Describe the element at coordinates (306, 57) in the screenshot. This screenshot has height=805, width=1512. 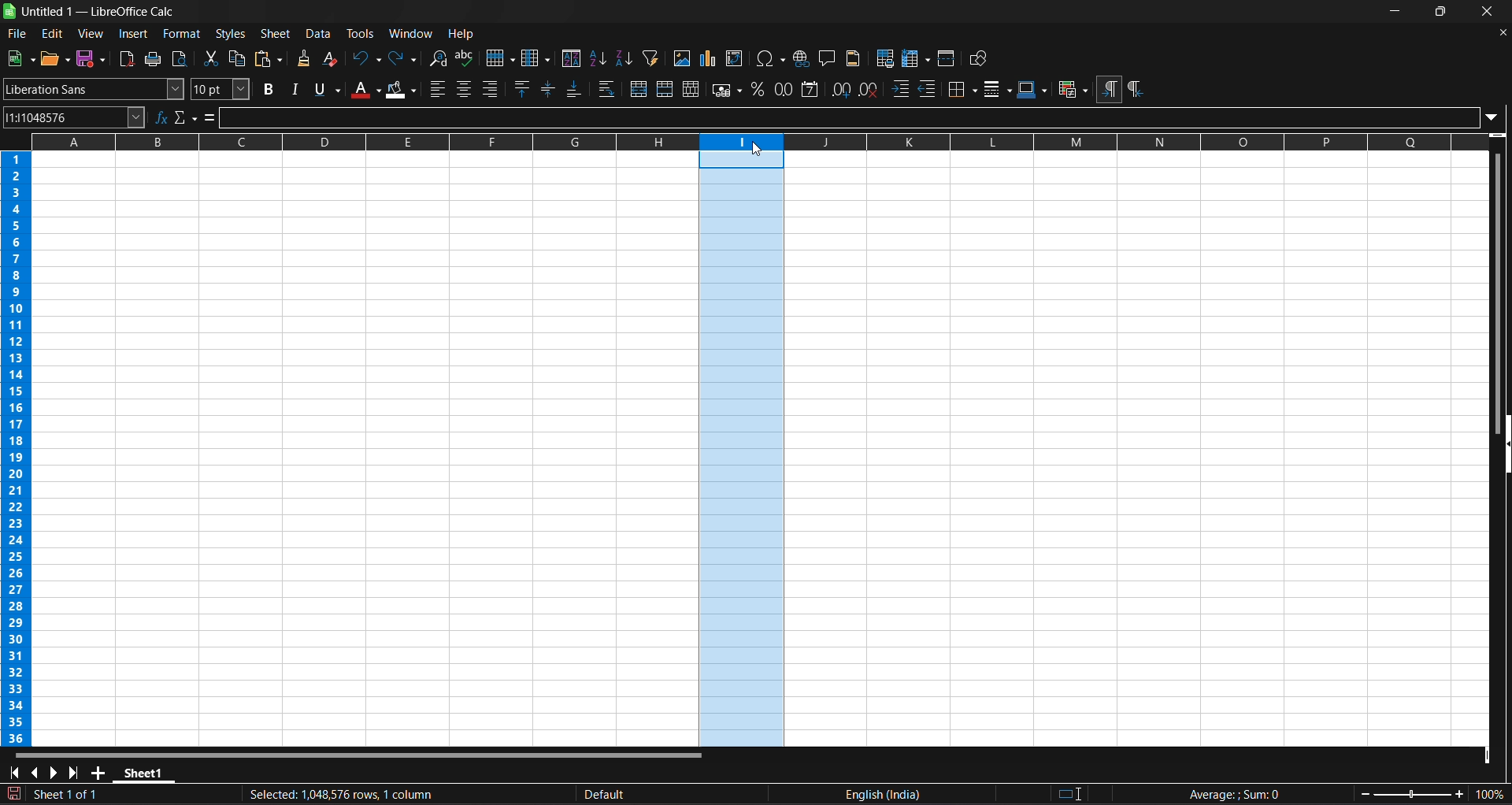
I see `clone formatting` at that location.